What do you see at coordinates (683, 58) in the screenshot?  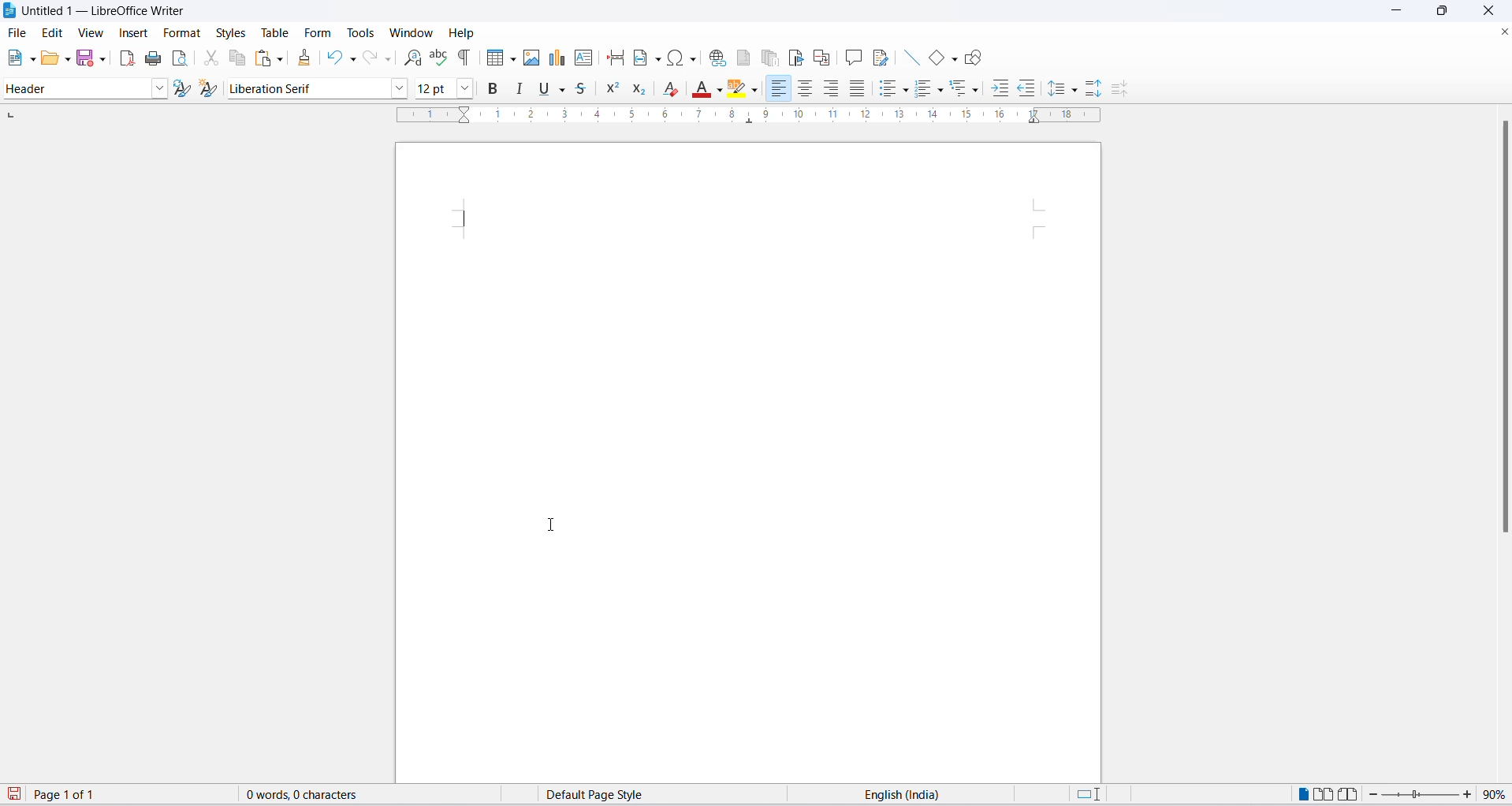 I see `insert special characters` at bounding box center [683, 58].